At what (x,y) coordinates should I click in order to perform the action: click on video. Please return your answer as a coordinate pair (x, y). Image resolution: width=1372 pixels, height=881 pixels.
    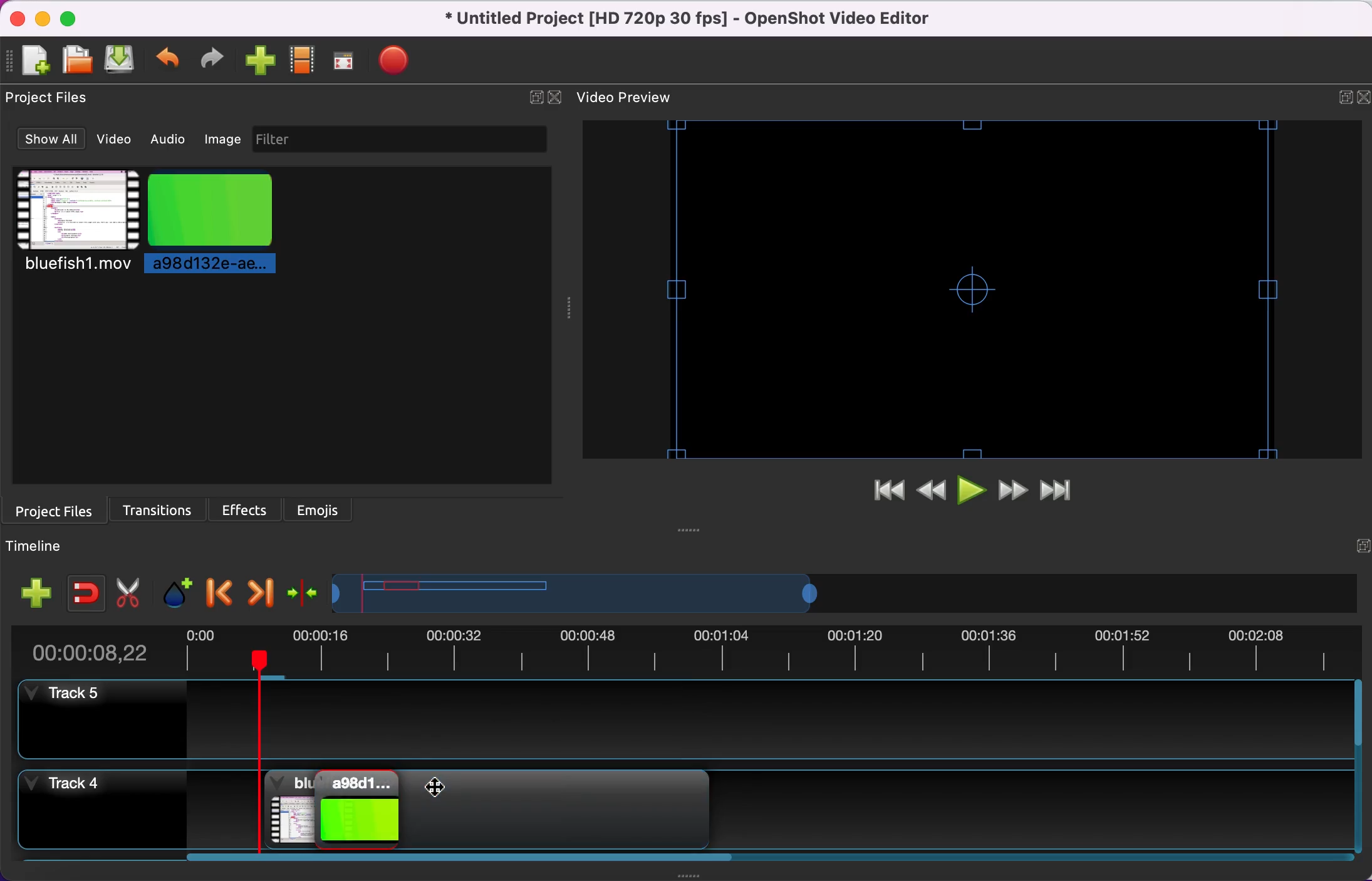
    Looking at the image, I should click on (74, 225).